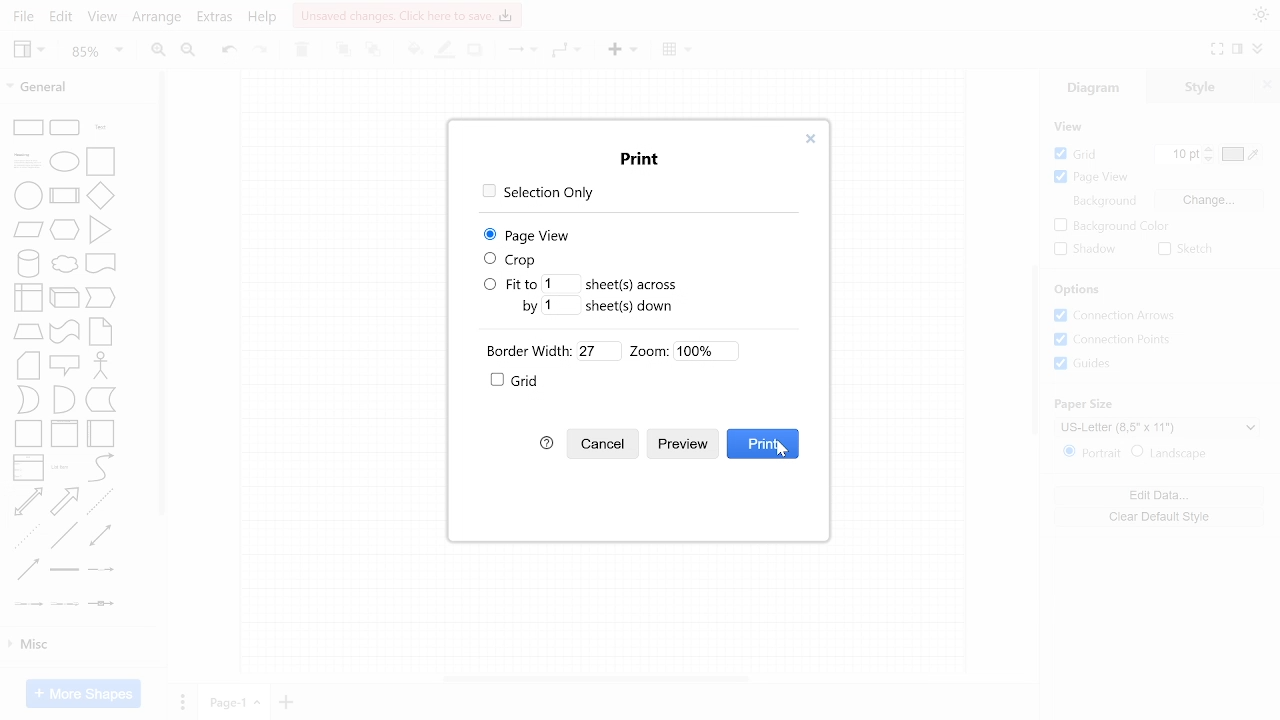 This screenshot has width=1280, height=720. I want to click on Print, so click(641, 159).